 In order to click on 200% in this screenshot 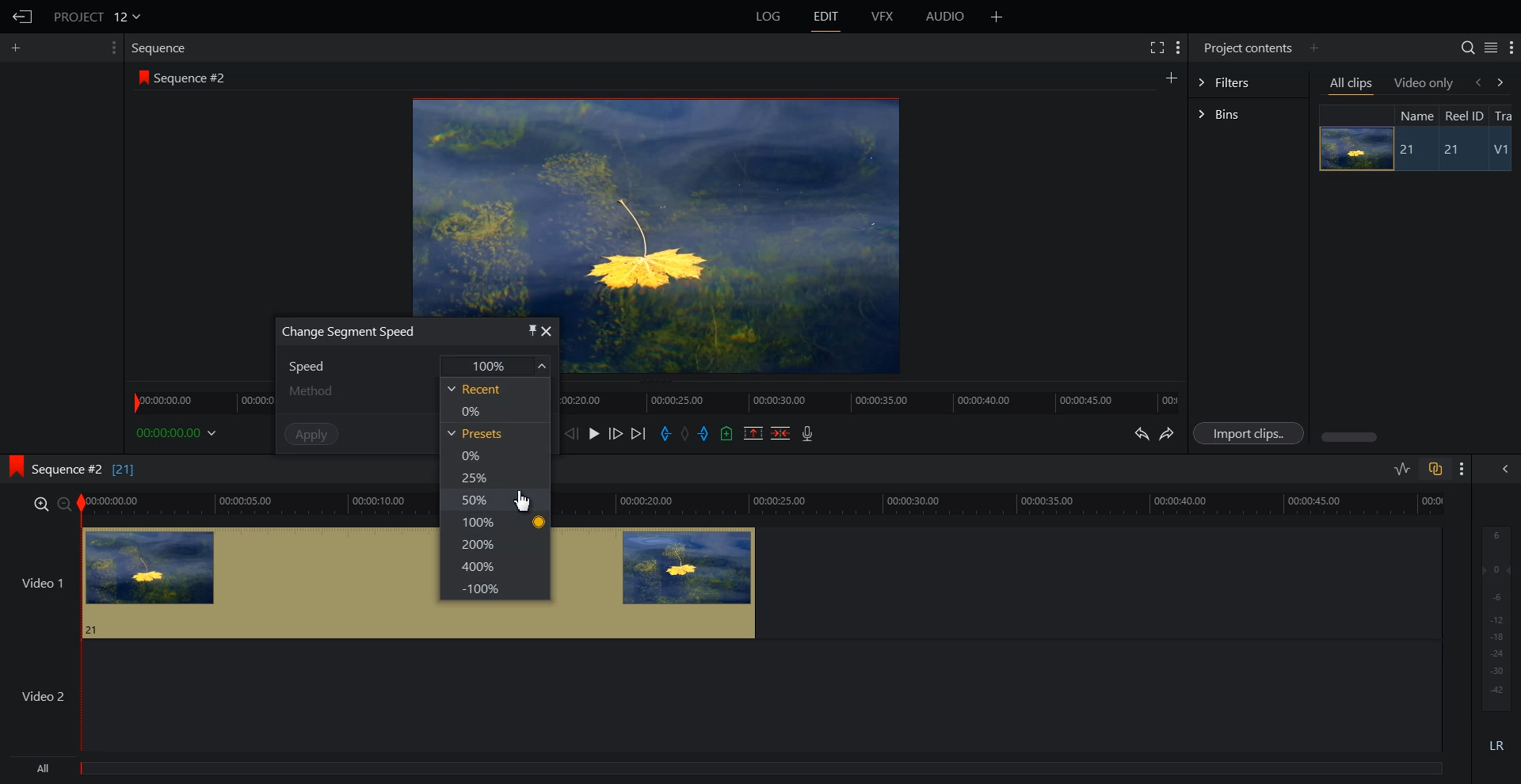, I will do `click(475, 545)`.